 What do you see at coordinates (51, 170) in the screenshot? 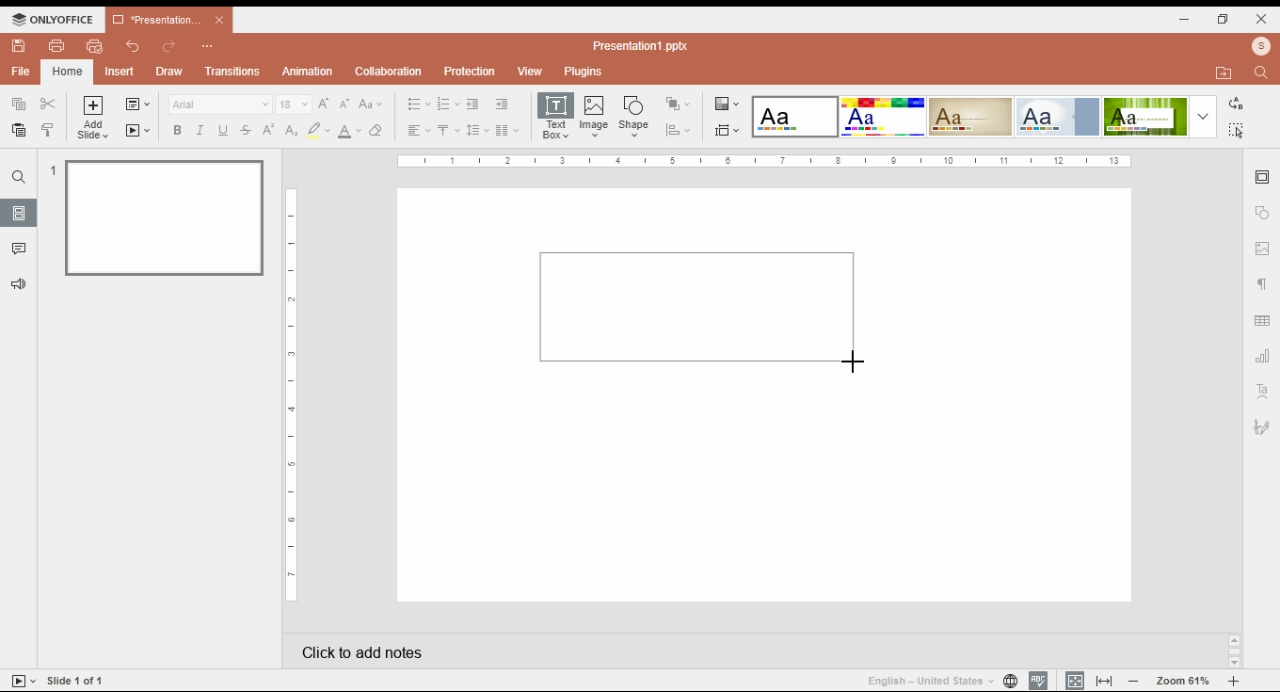
I see `1` at bounding box center [51, 170].